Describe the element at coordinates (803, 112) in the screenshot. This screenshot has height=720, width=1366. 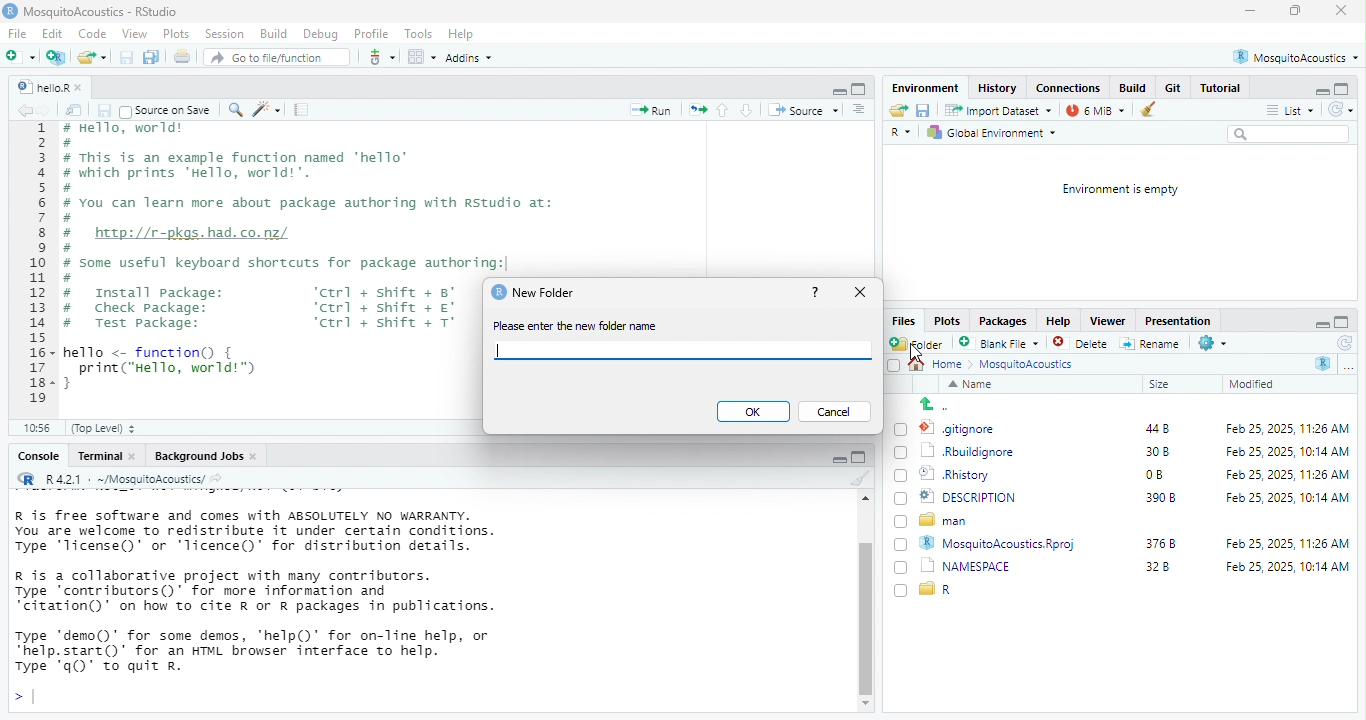
I see ` Source ` at that location.